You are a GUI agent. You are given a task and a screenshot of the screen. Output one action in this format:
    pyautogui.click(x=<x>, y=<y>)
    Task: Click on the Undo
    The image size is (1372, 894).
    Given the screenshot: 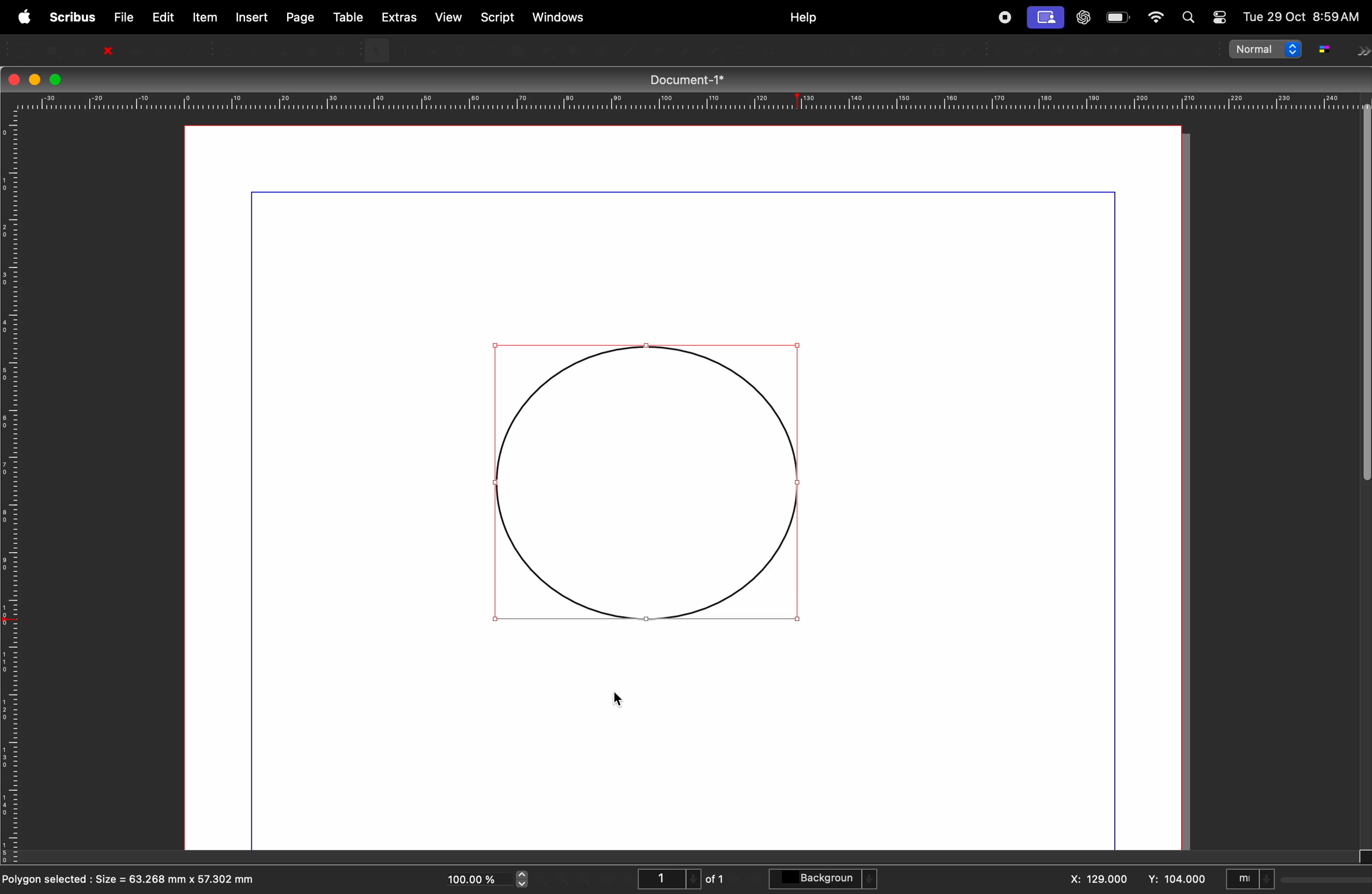 What is the action you would take?
    pyautogui.click(x=230, y=48)
    